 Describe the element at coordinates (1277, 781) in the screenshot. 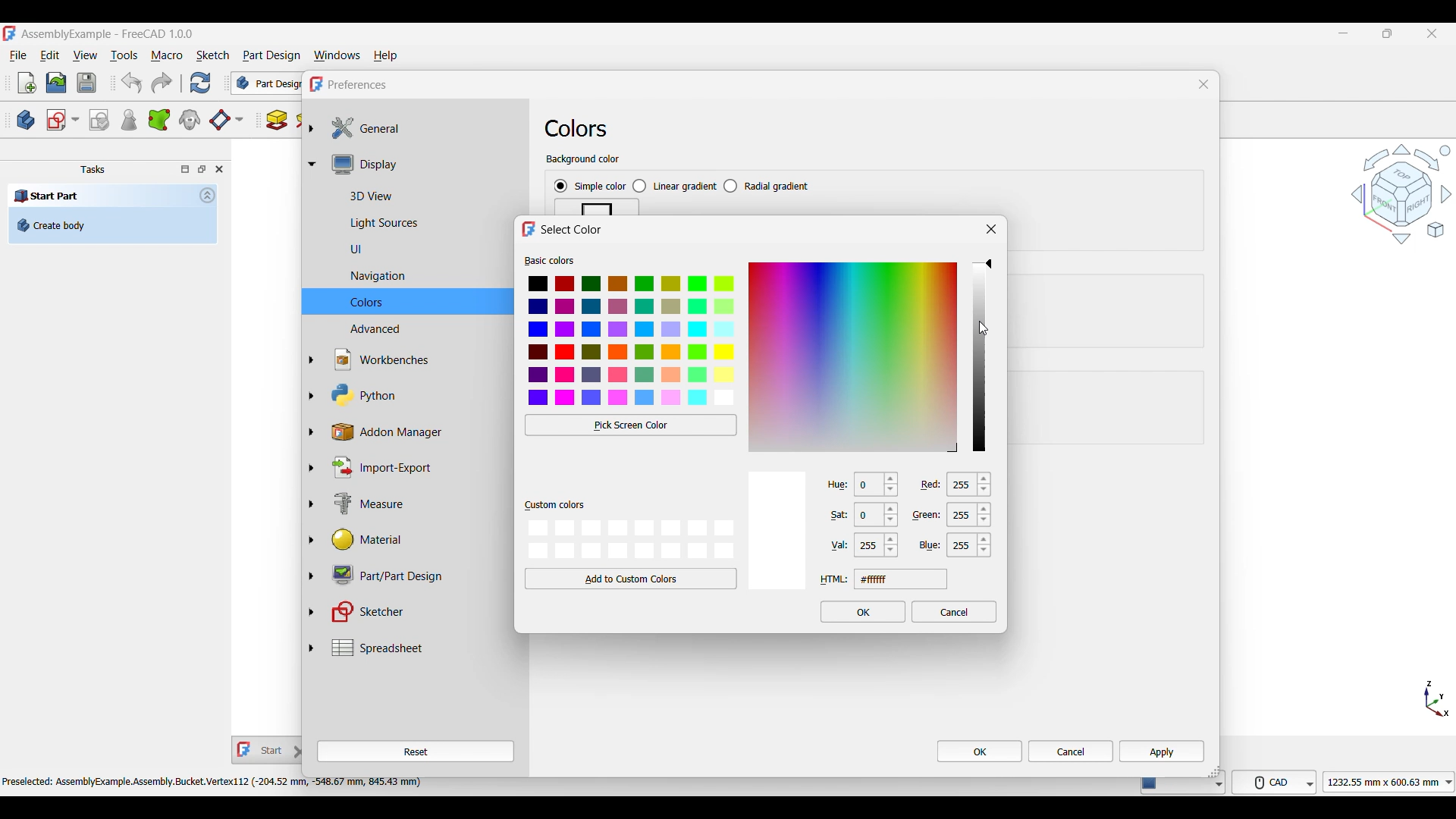

I see `CAD` at that location.